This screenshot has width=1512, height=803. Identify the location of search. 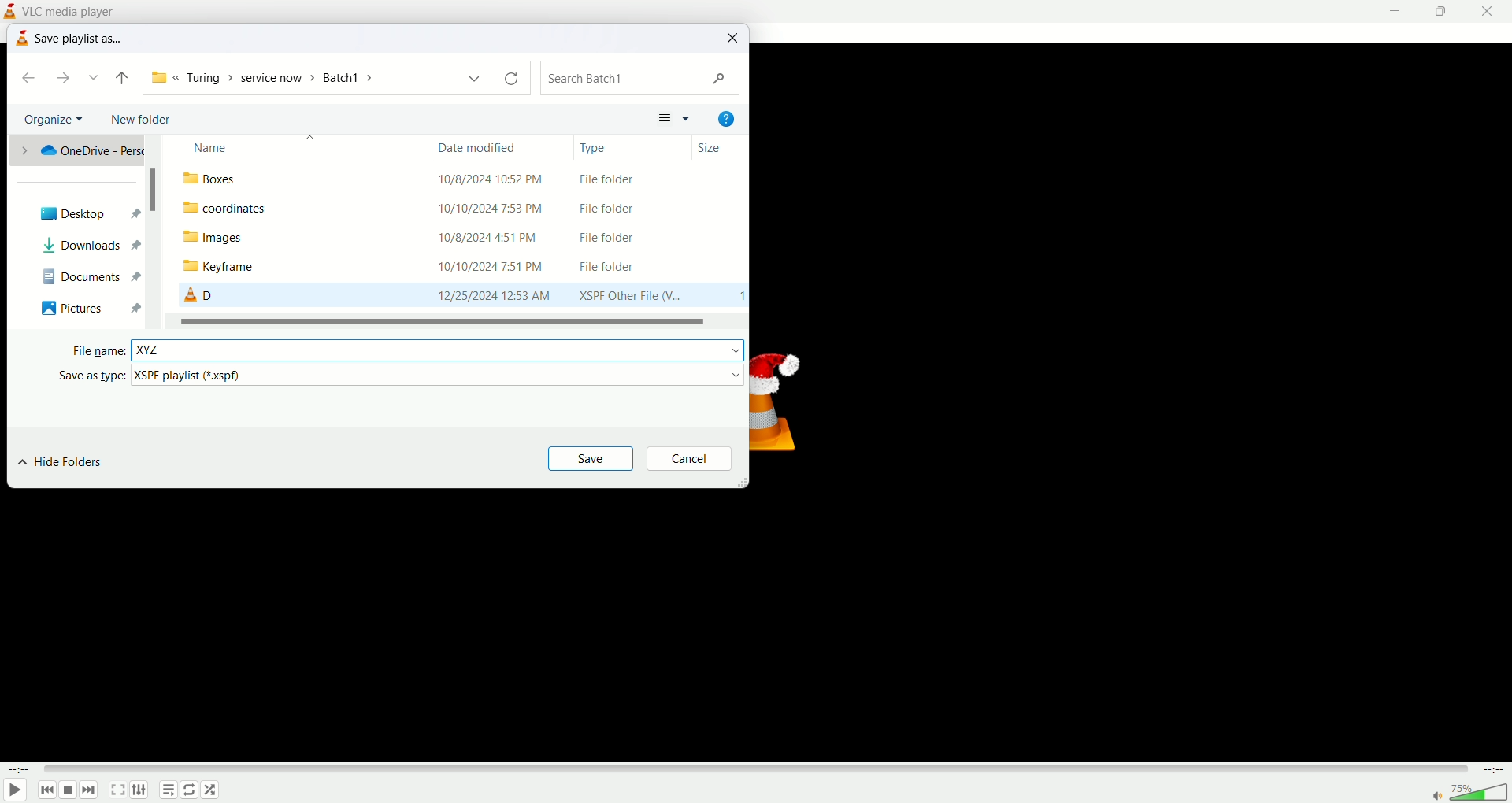
(641, 79).